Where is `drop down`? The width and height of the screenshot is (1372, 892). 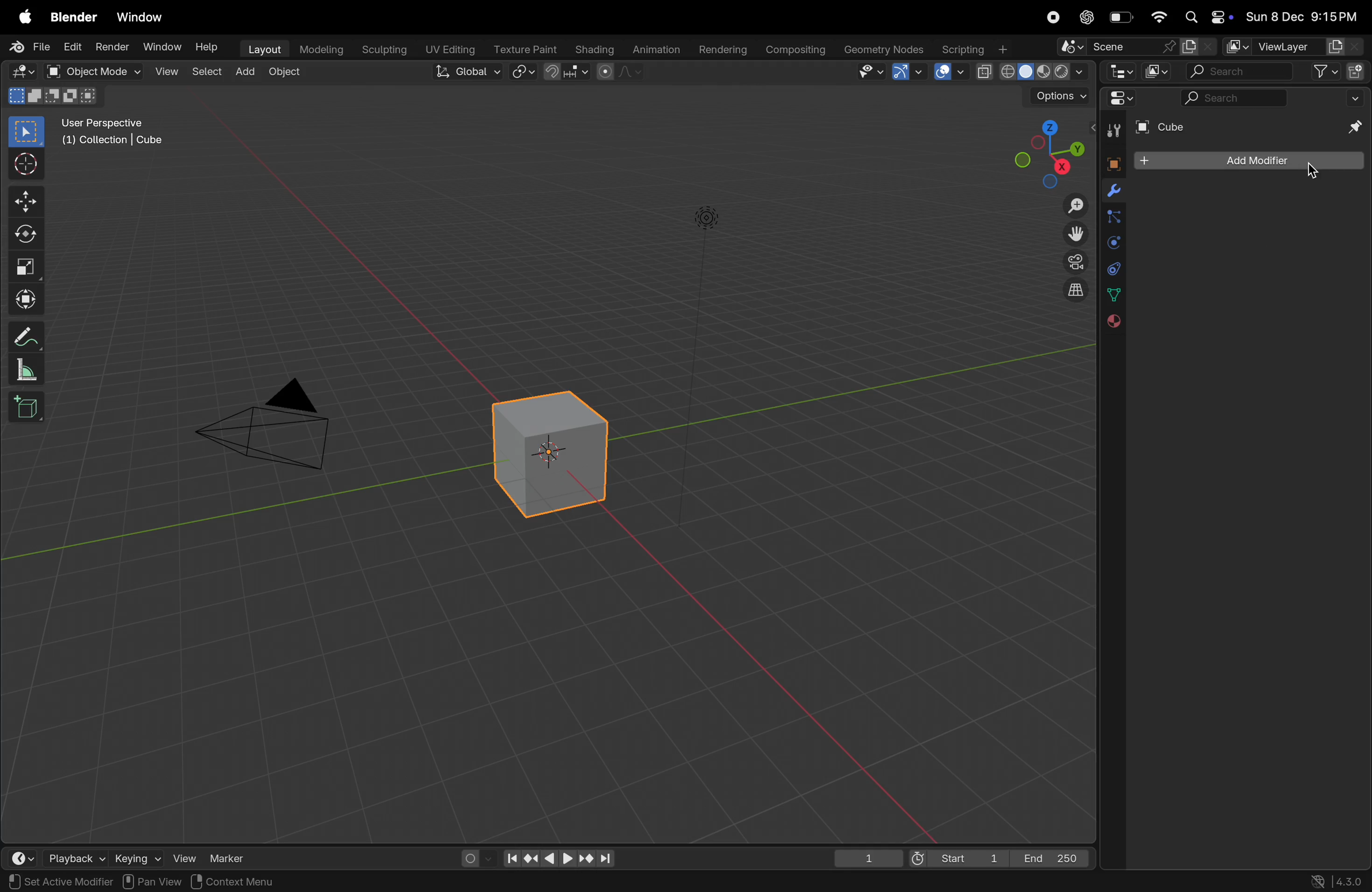
drop down is located at coordinates (1358, 97).